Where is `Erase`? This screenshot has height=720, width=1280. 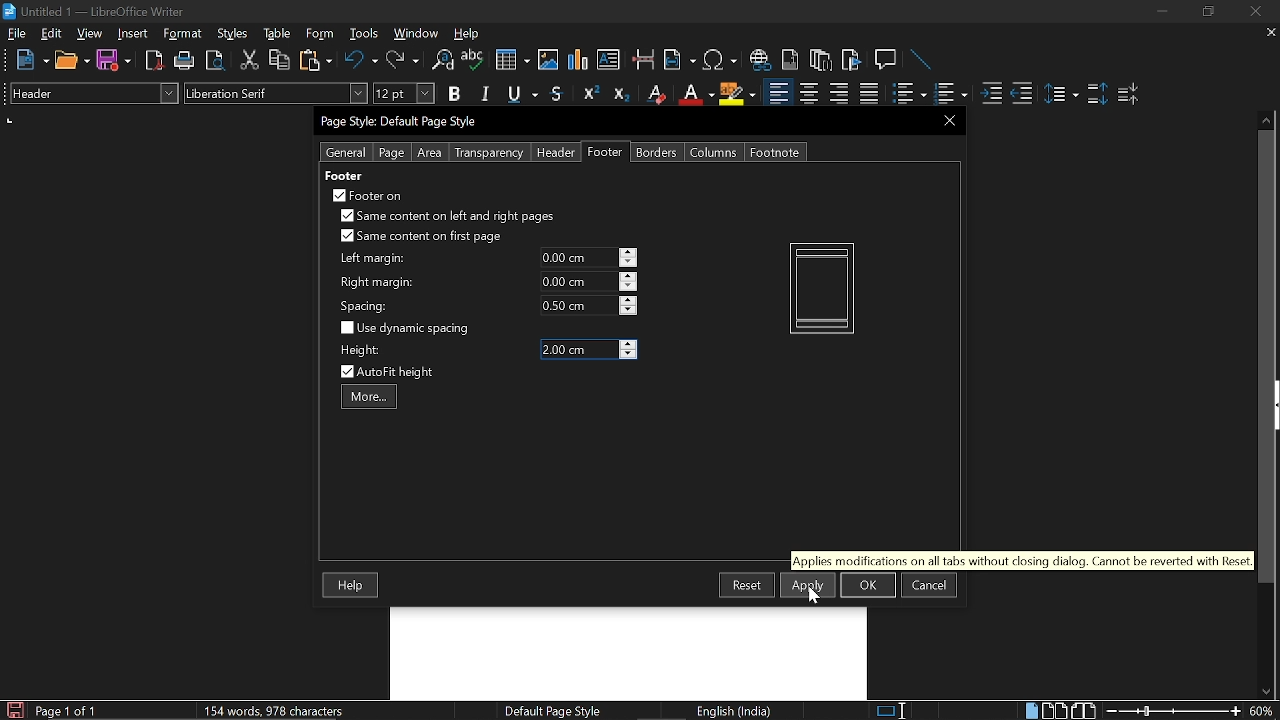
Erase is located at coordinates (655, 94).